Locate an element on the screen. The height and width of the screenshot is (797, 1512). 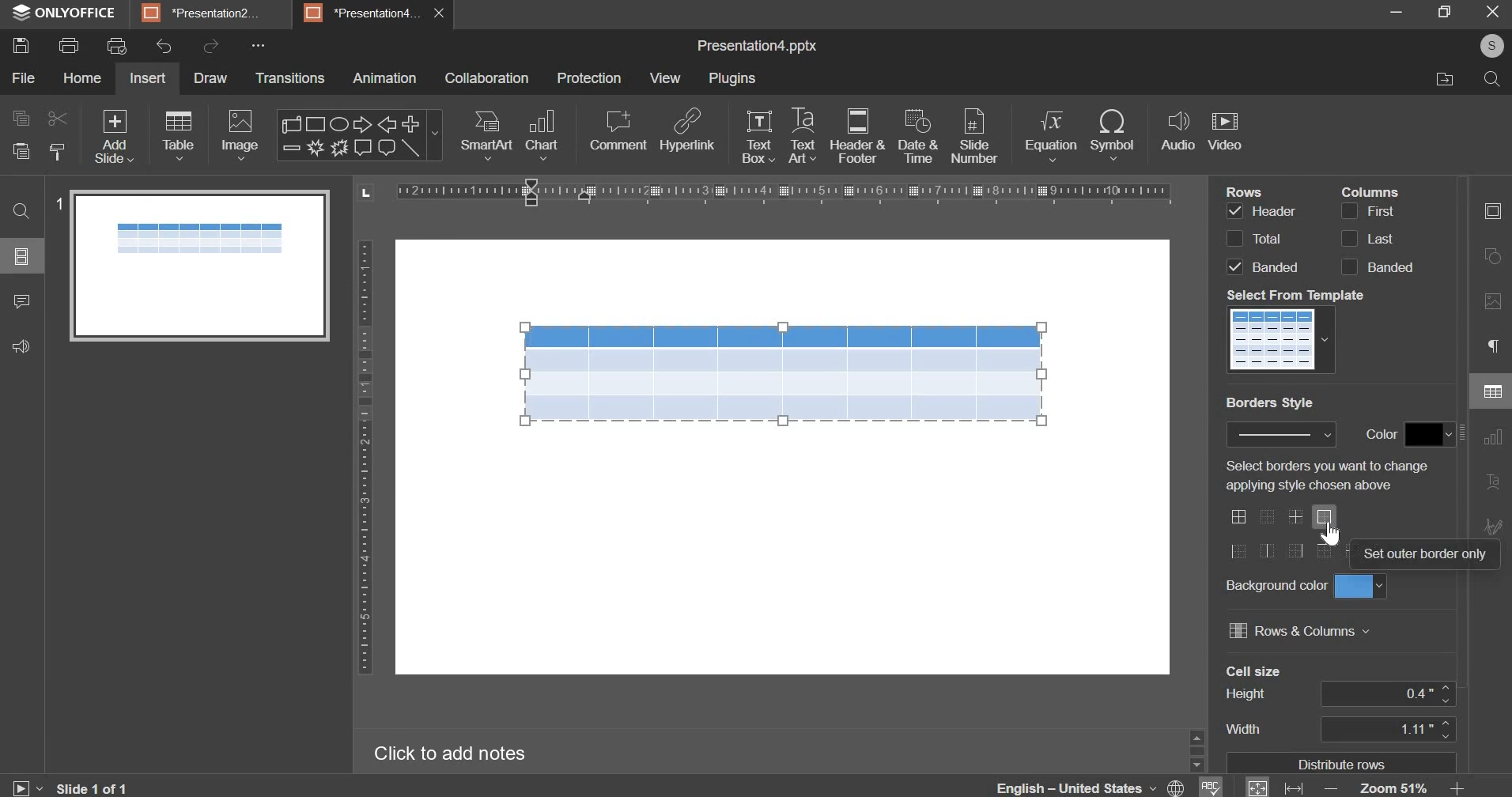
row header is located at coordinates (1235, 209).